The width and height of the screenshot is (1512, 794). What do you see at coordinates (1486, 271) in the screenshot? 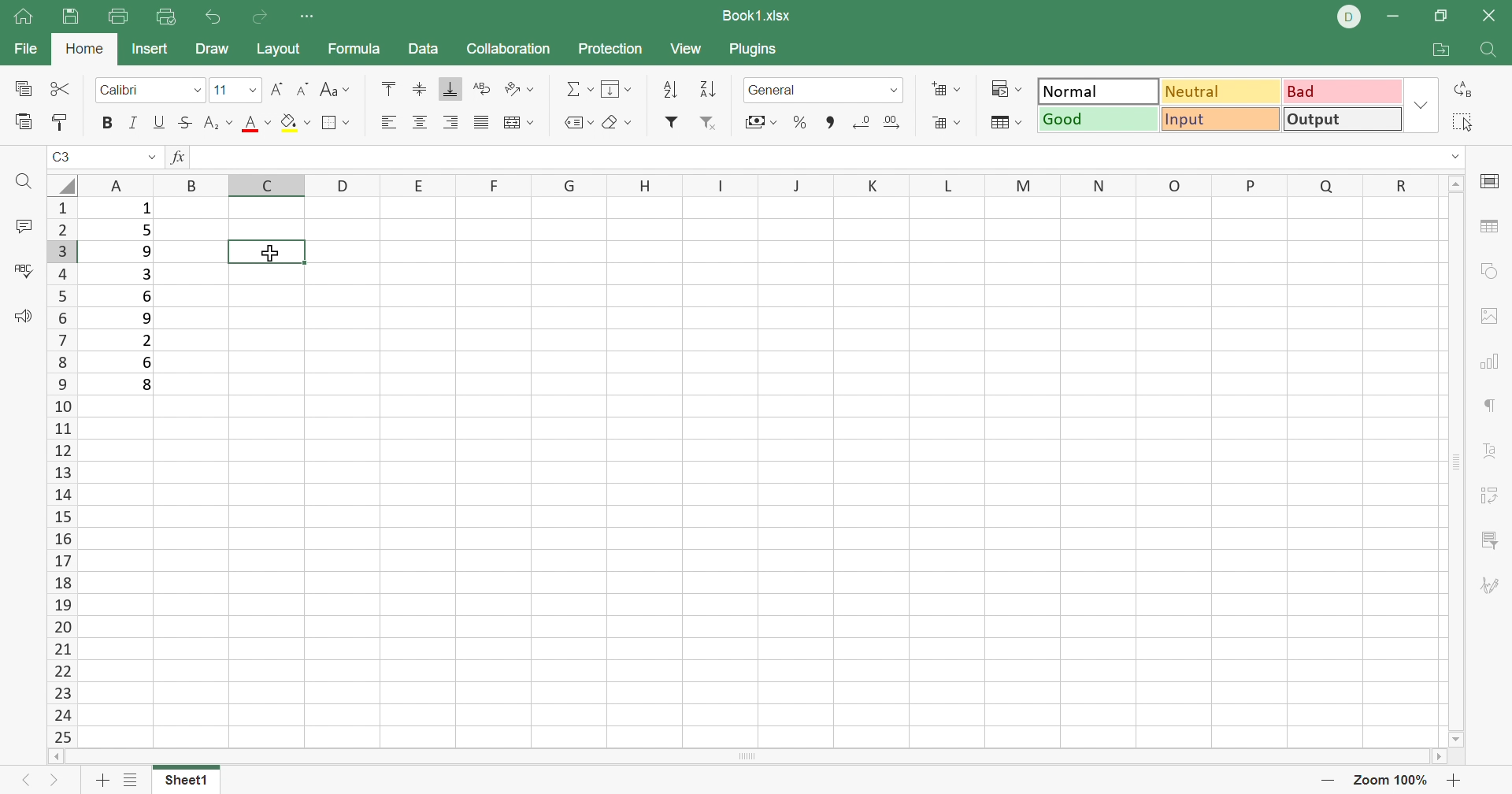
I see `Shape settings` at bounding box center [1486, 271].